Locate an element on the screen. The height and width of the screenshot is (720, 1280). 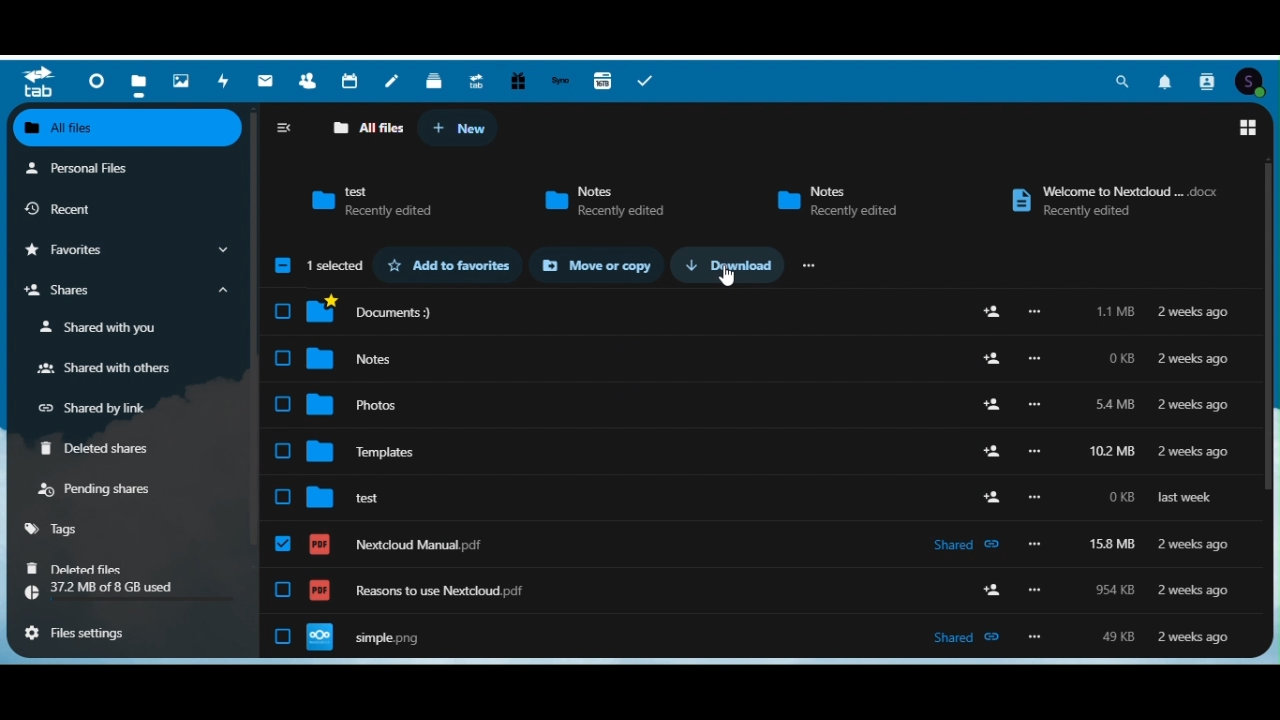
Download is located at coordinates (731, 265).